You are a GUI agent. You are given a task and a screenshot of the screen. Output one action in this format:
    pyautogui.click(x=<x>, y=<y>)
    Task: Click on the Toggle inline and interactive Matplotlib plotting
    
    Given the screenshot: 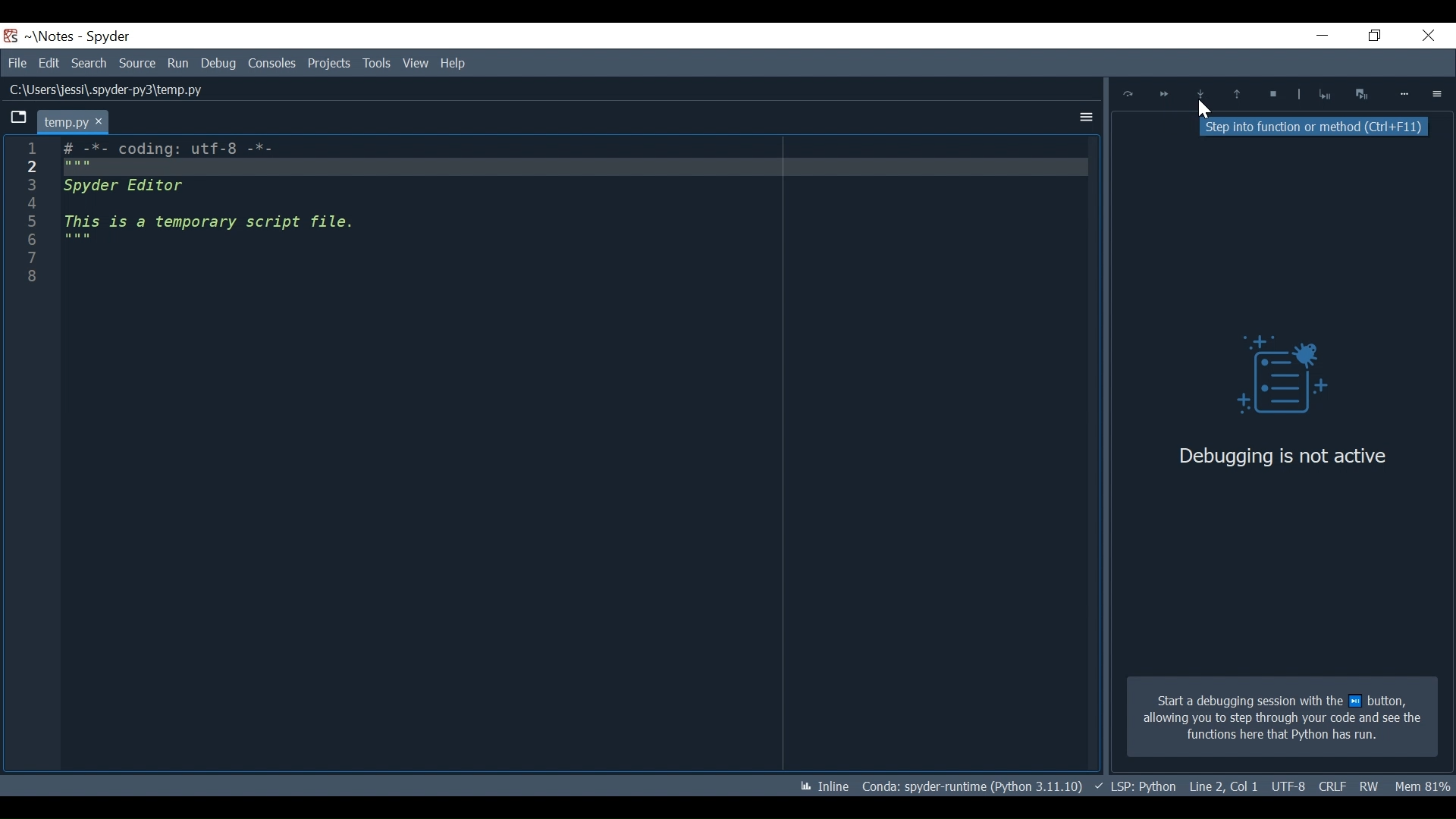 What is the action you would take?
    pyautogui.click(x=824, y=786)
    